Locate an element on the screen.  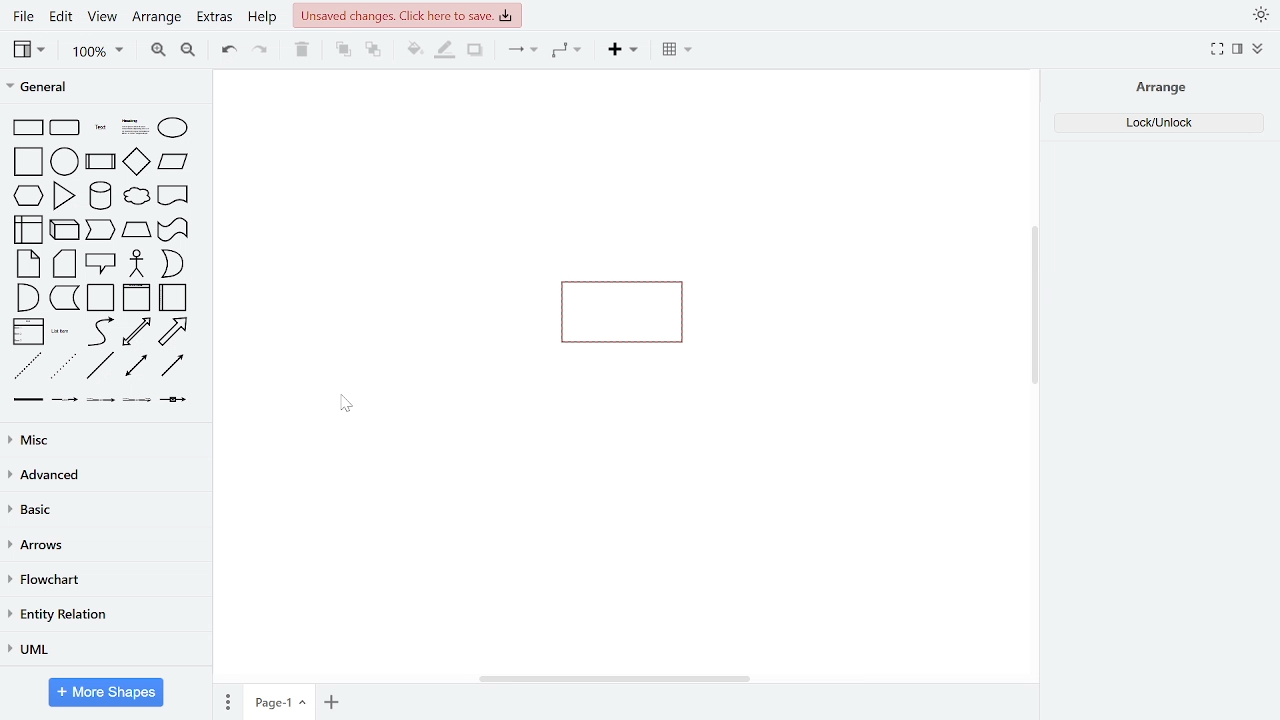
headline is located at coordinates (134, 128).